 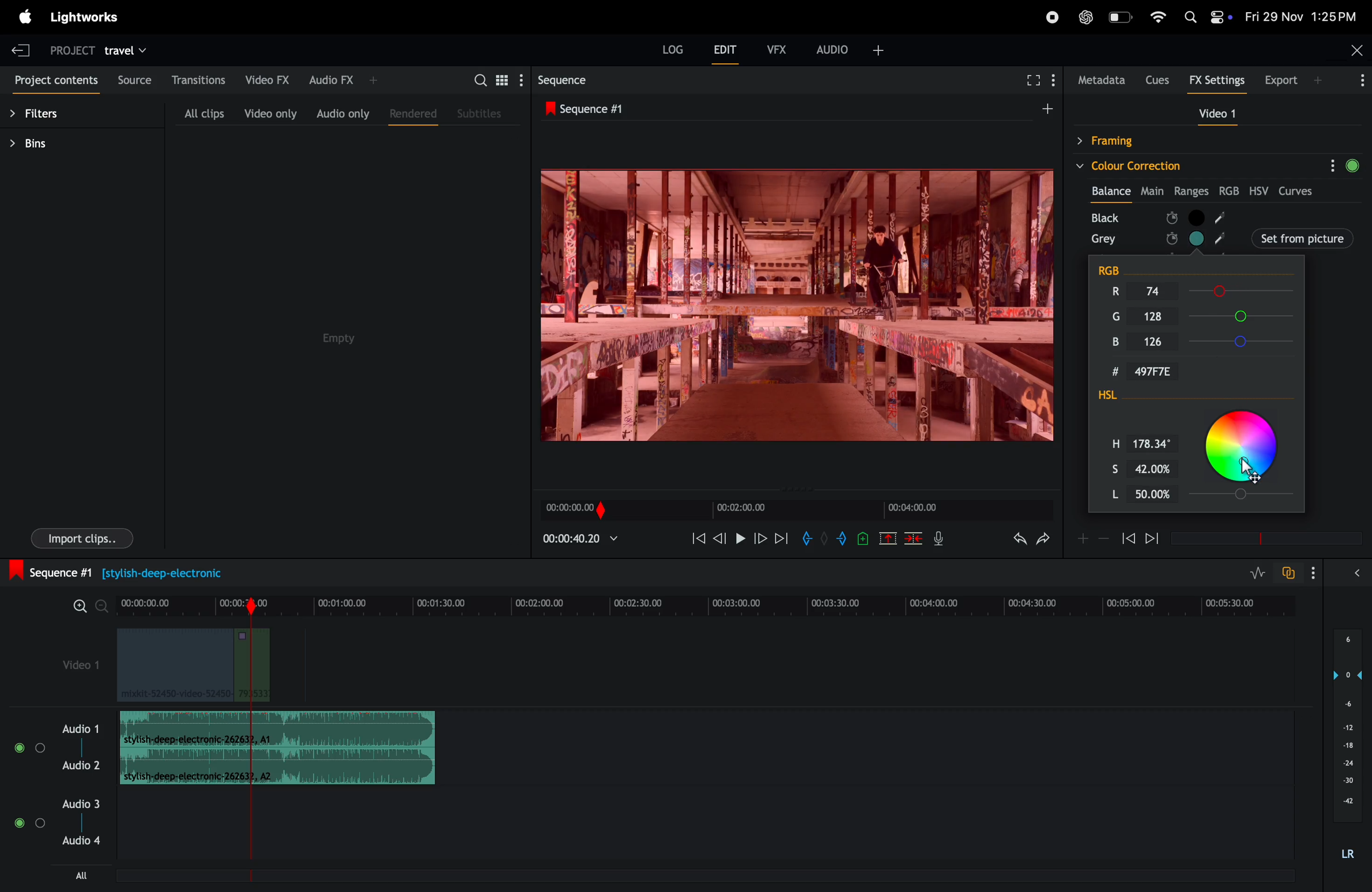 I want to click on exit, so click(x=20, y=47).